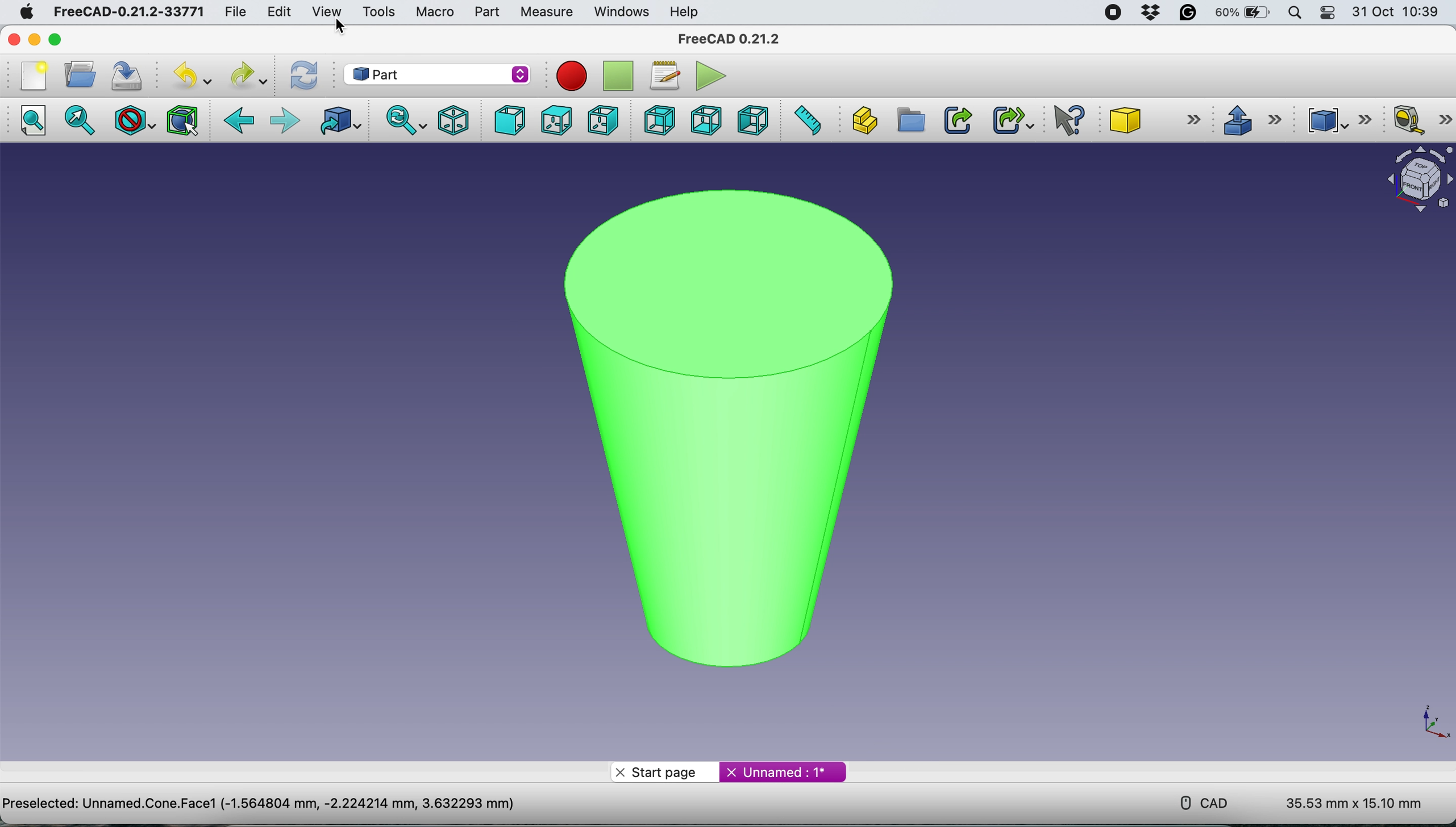  Describe the element at coordinates (958, 119) in the screenshot. I see `make link` at that location.